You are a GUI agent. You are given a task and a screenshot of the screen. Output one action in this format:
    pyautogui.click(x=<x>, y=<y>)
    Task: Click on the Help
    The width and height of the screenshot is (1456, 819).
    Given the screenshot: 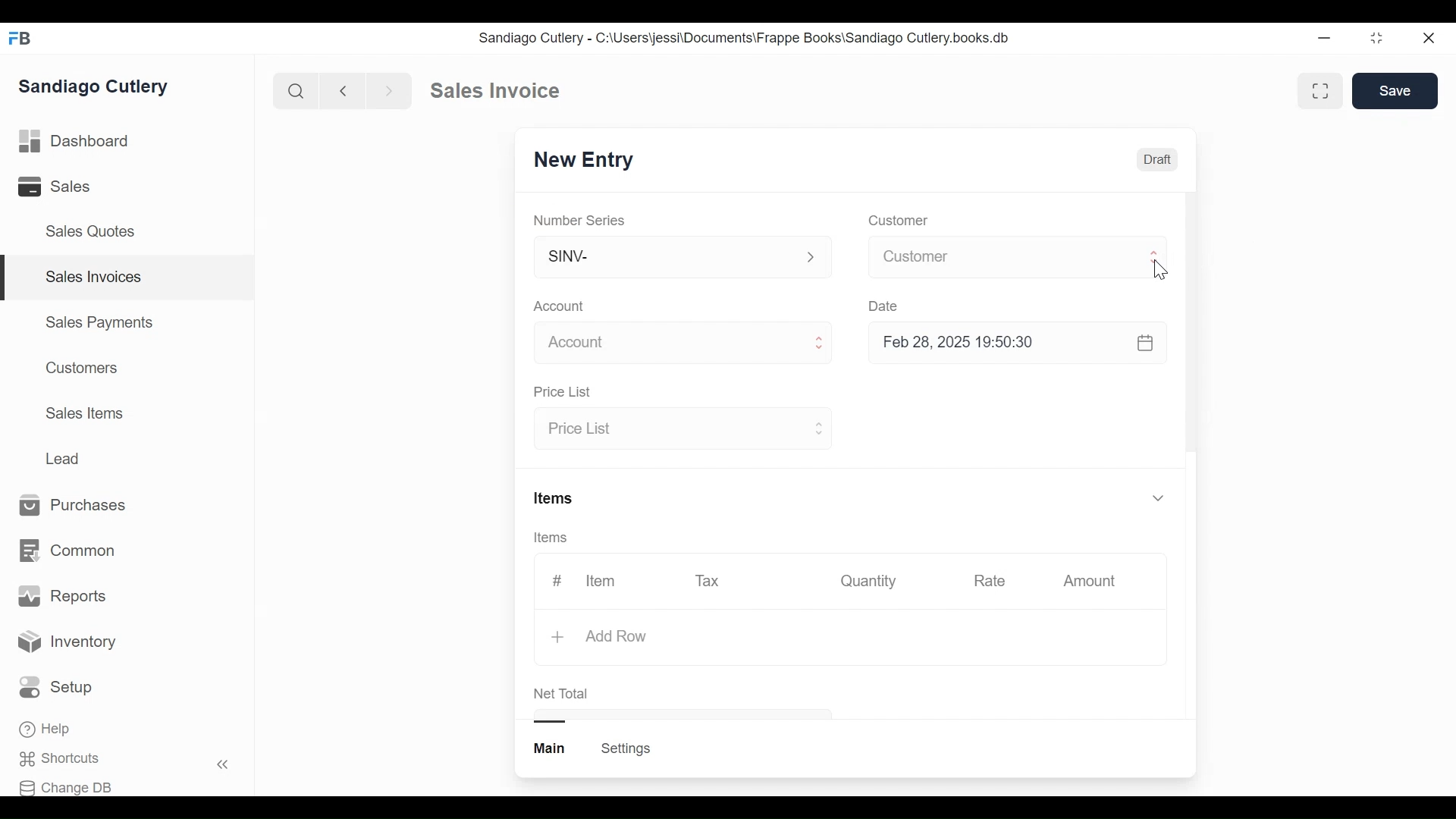 What is the action you would take?
    pyautogui.click(x=46, y=729)
    